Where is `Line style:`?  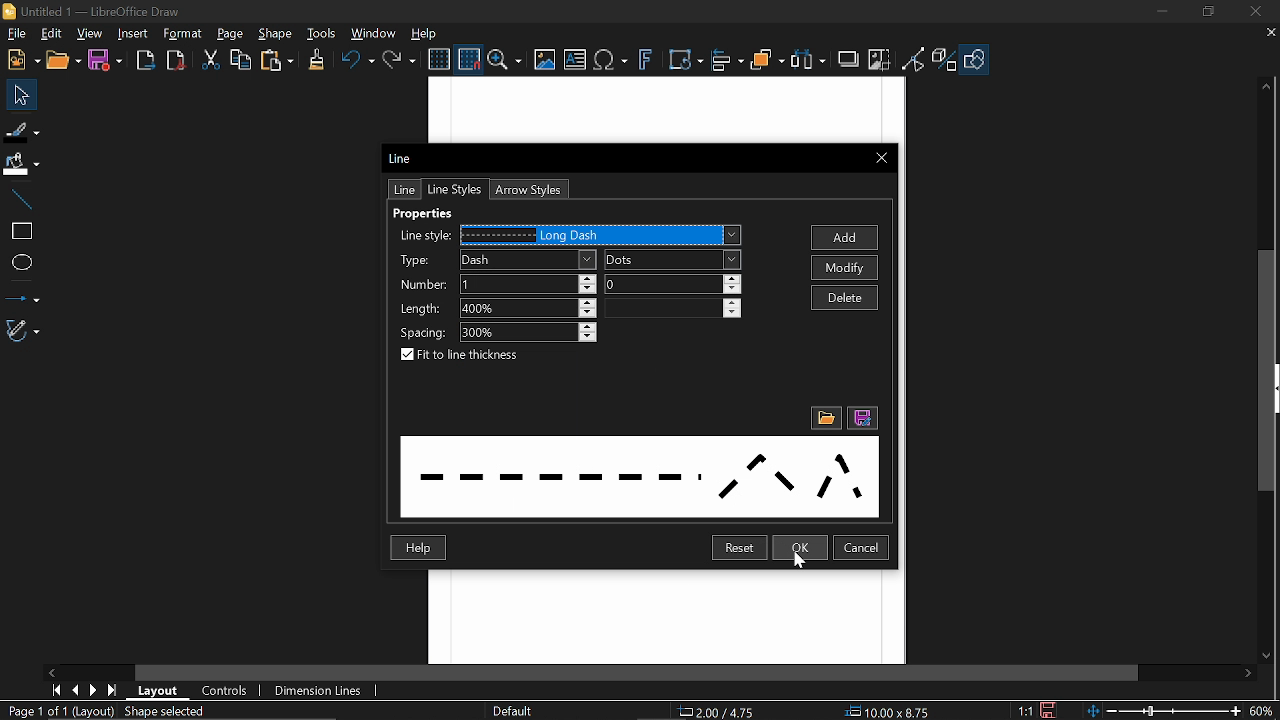 Line style: is located at coordinates (424, 236).